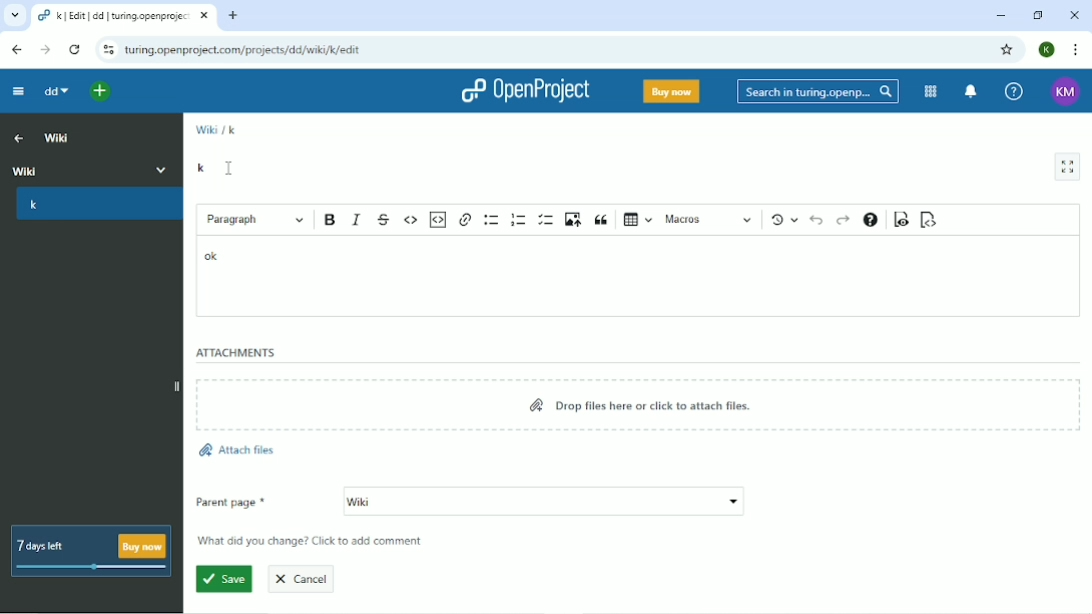 This screenshot has height=614, width=1092. I want to click on Account, so click(1047, 49).